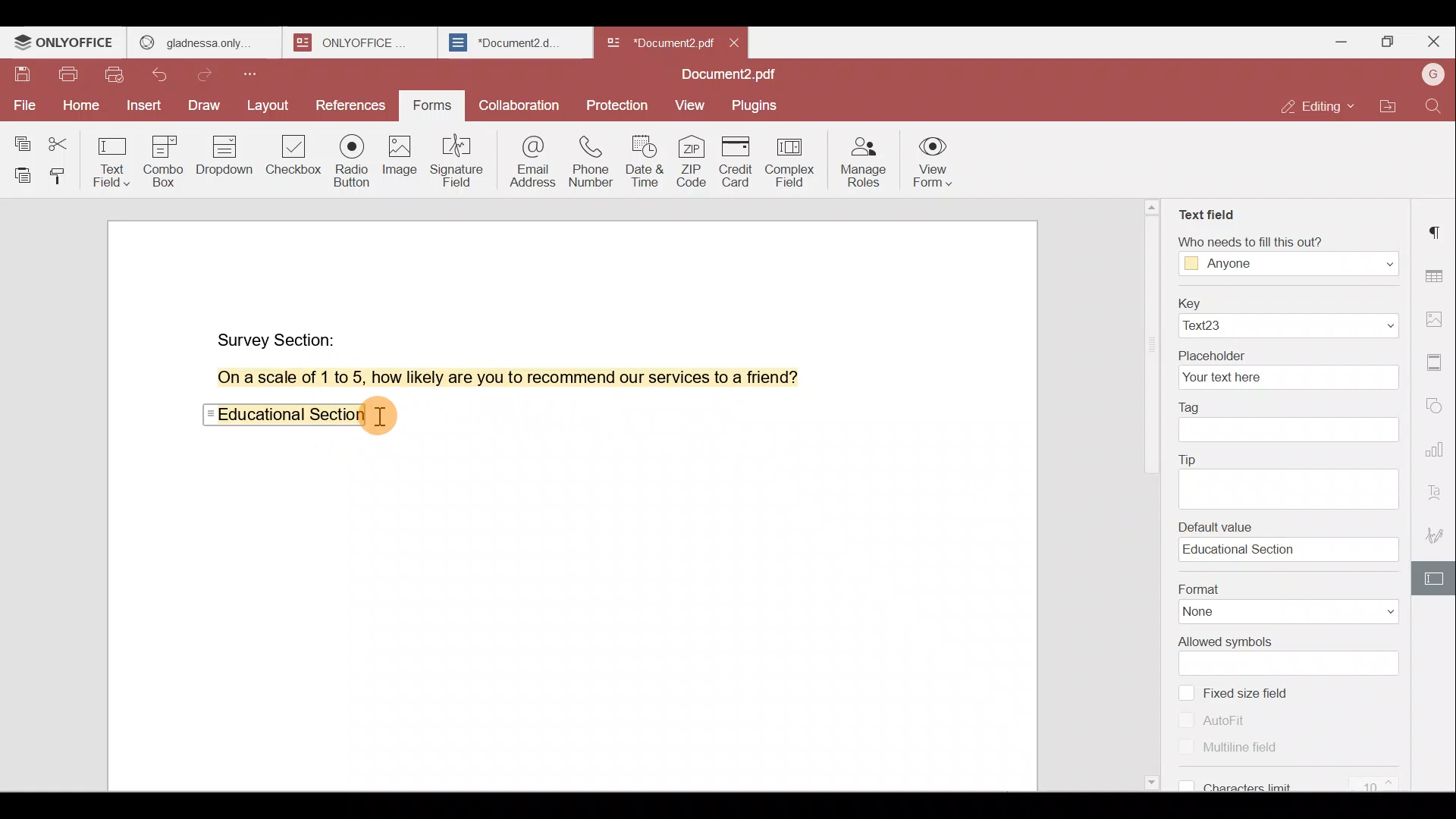 The image size is (1456, 819). What do you see at coordinates (1291, 423) in the screenshot?
I see `Tag` at bounding box center [1291, 423].